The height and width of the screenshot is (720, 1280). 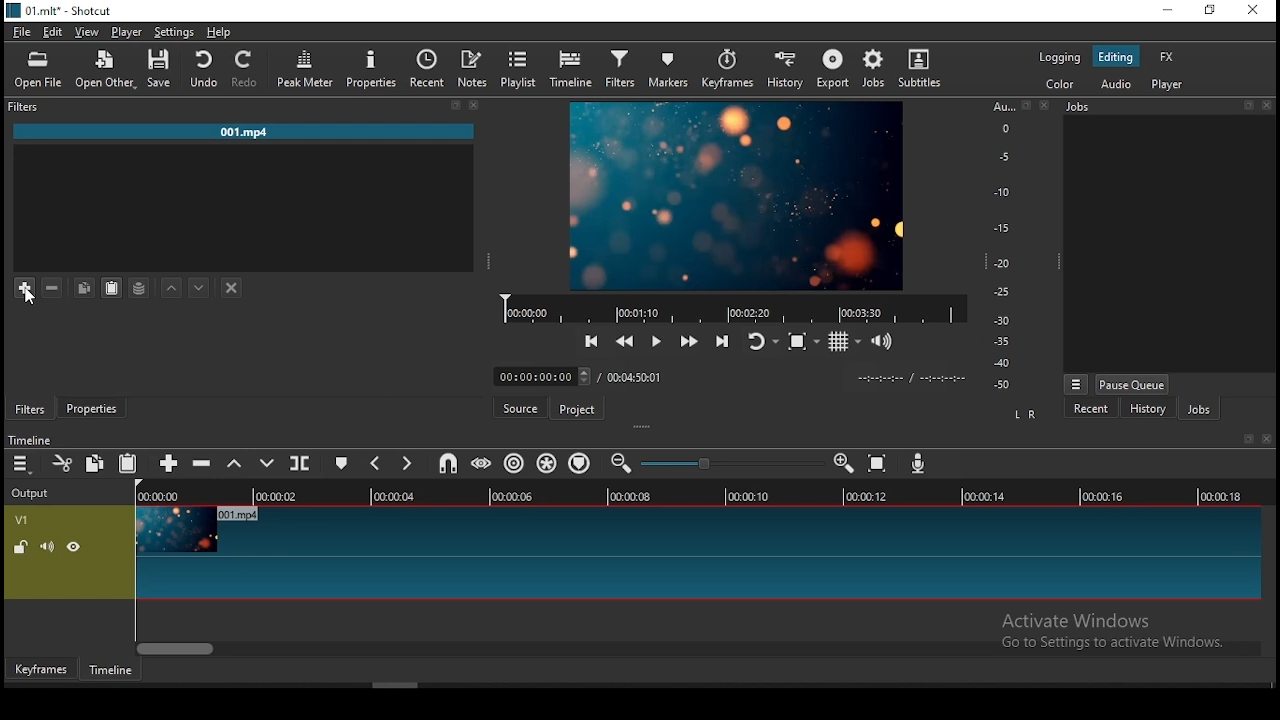 What do you see at coordinates (670, 68) in the screenshot?
I see `markers` at bounding box center [670, 68].